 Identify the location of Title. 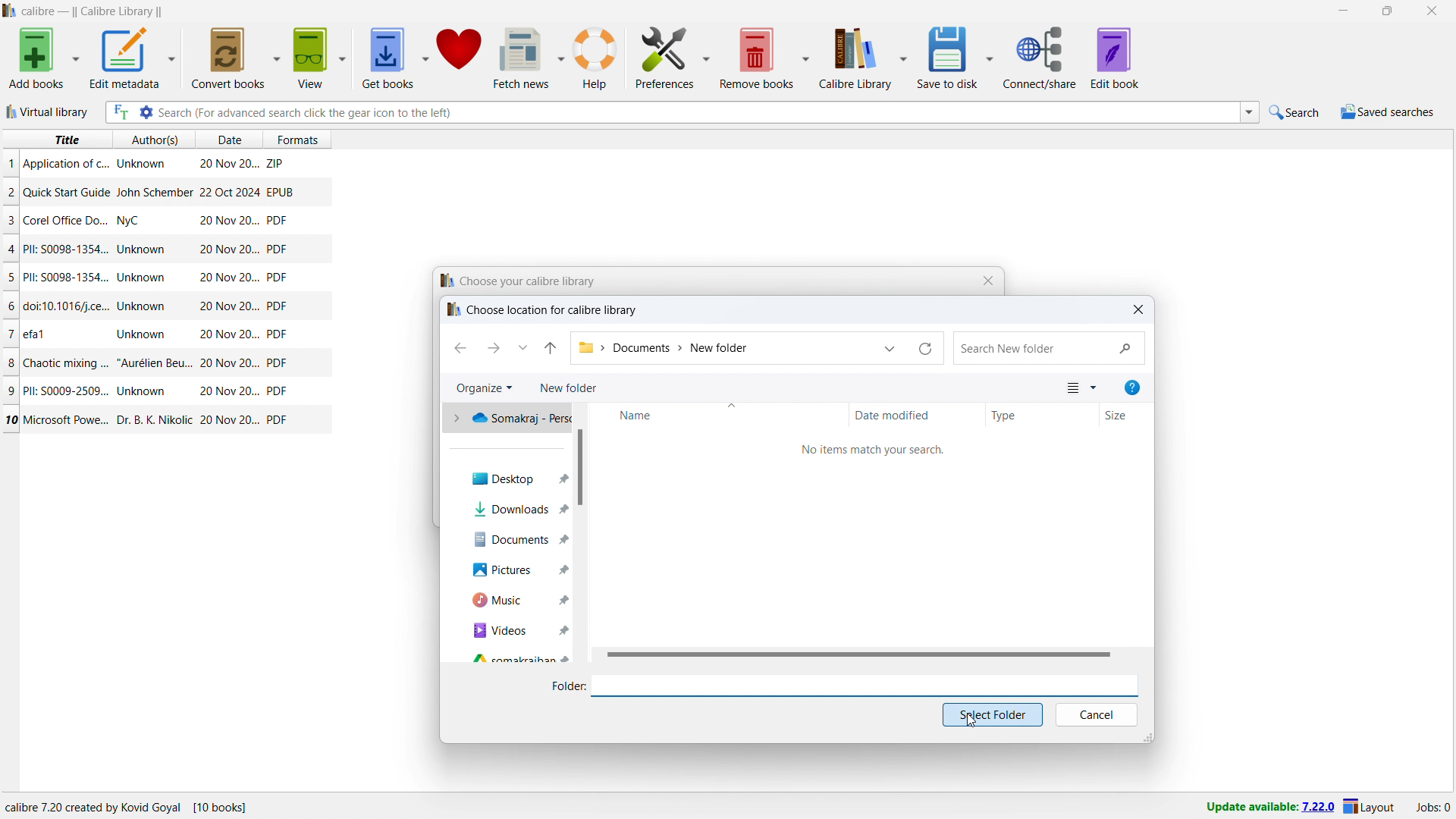
(70, 220).